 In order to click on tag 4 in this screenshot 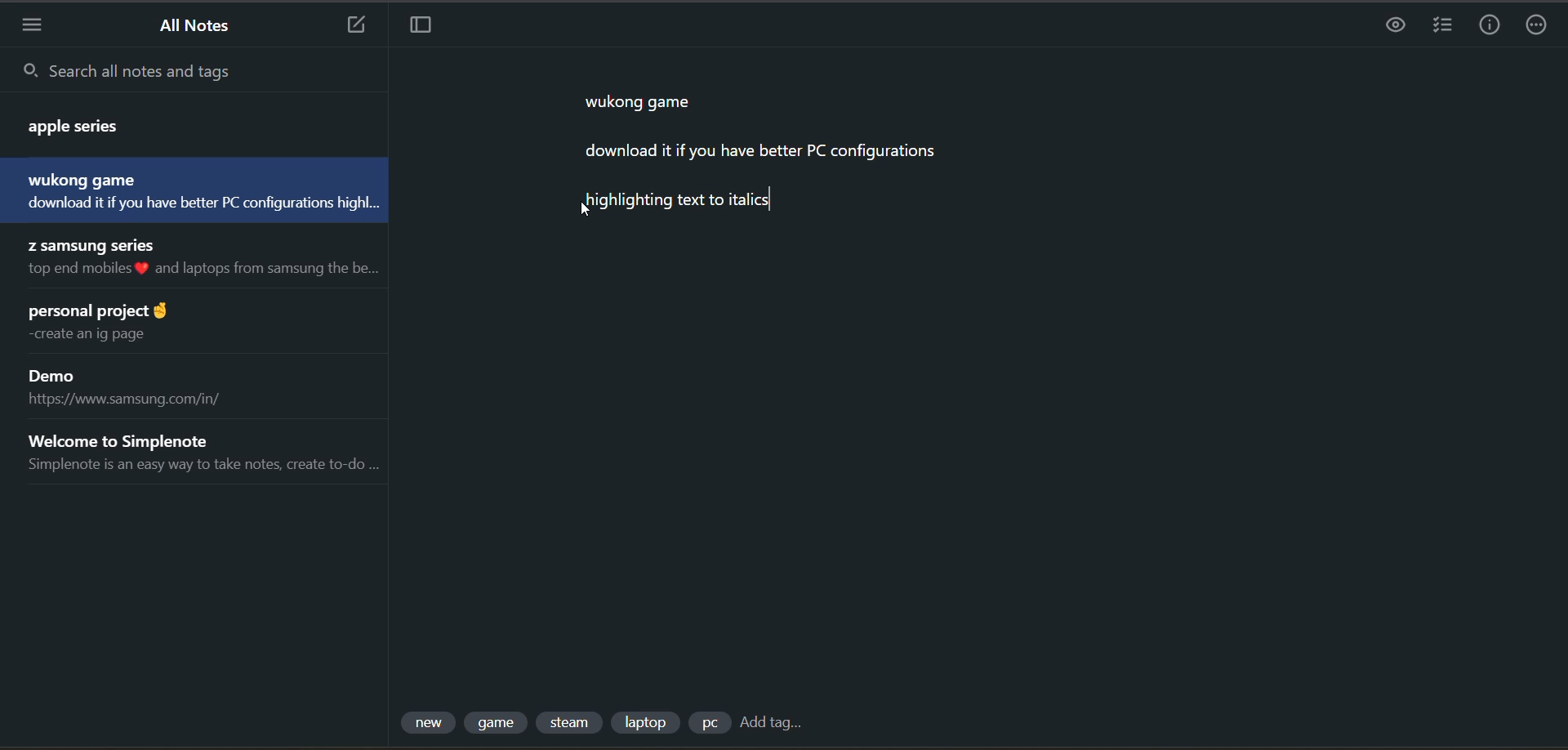, I will do `click(644, 721)`.